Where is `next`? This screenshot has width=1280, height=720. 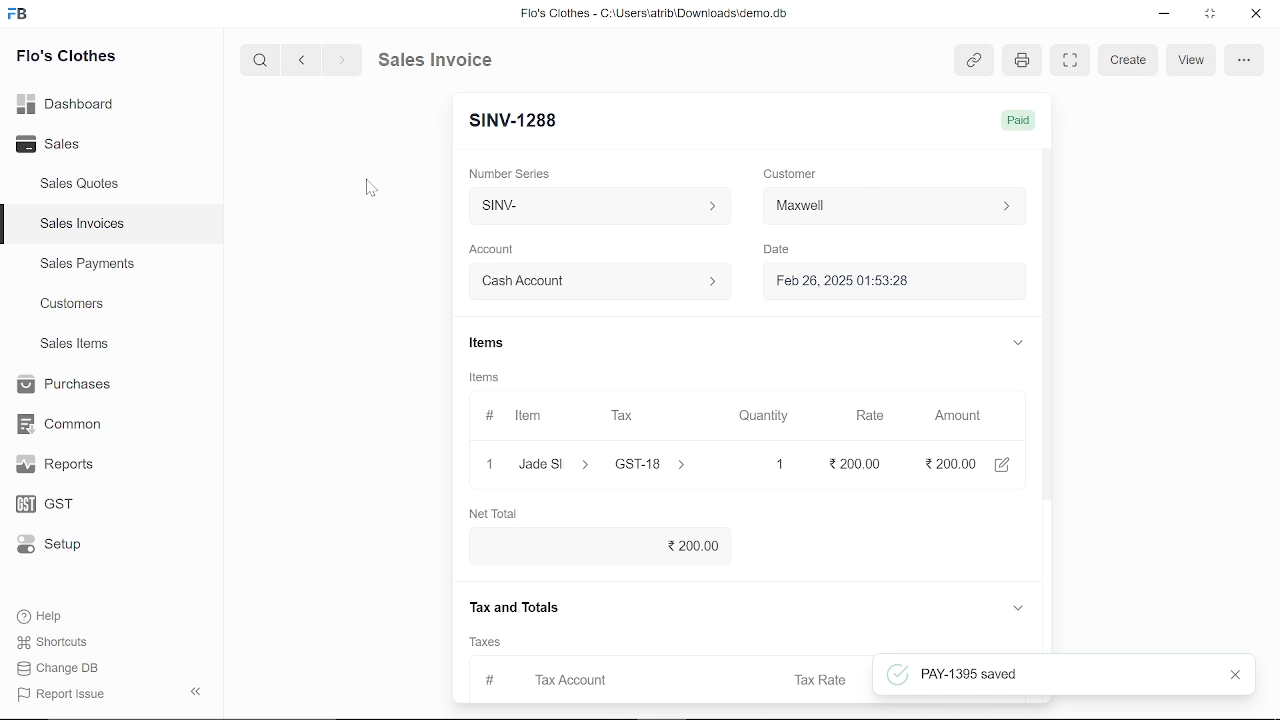 next is located at coordinates (342, 60).